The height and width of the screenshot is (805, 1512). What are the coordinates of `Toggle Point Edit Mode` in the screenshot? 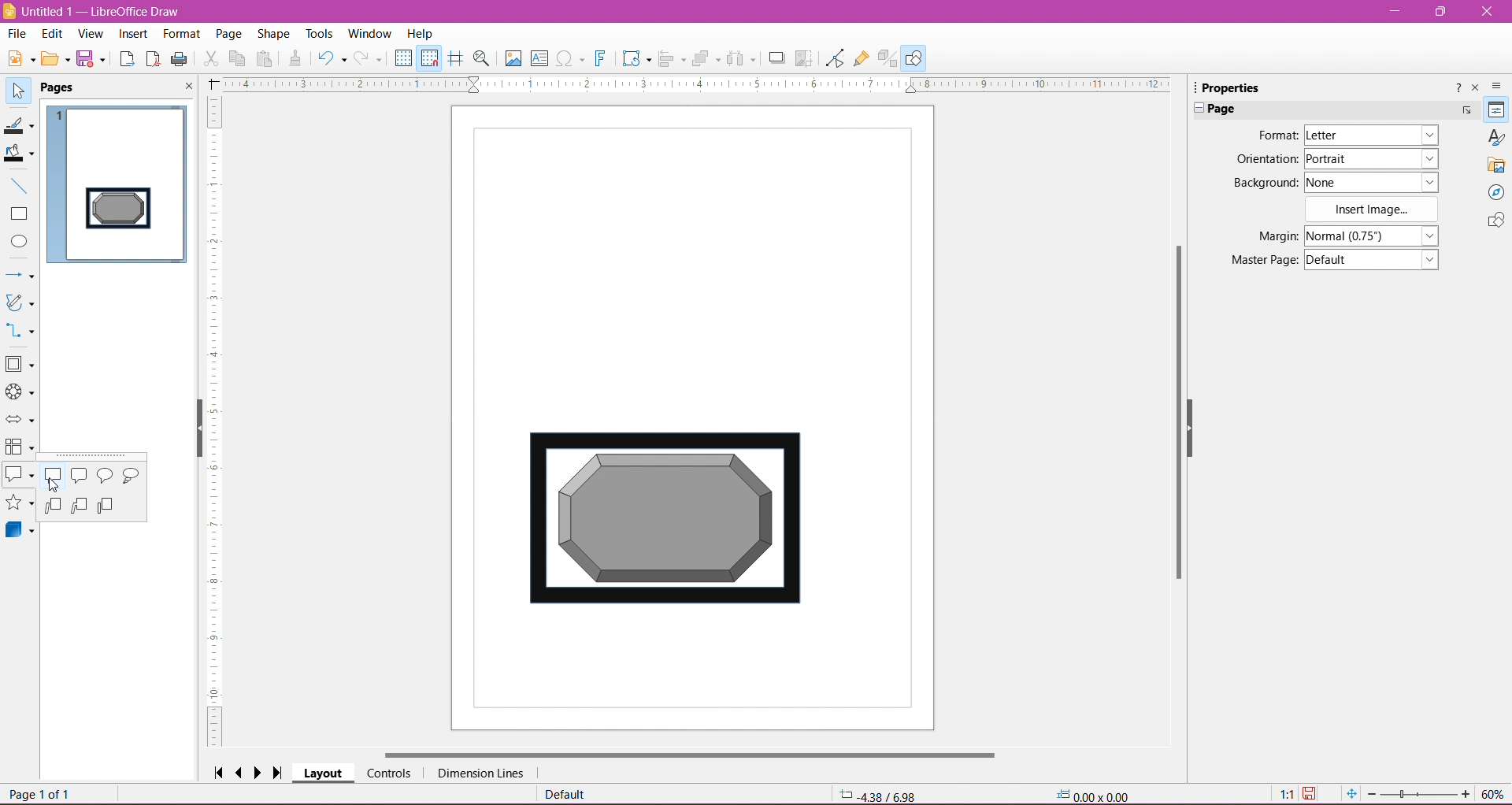 It's located at (833, 60).